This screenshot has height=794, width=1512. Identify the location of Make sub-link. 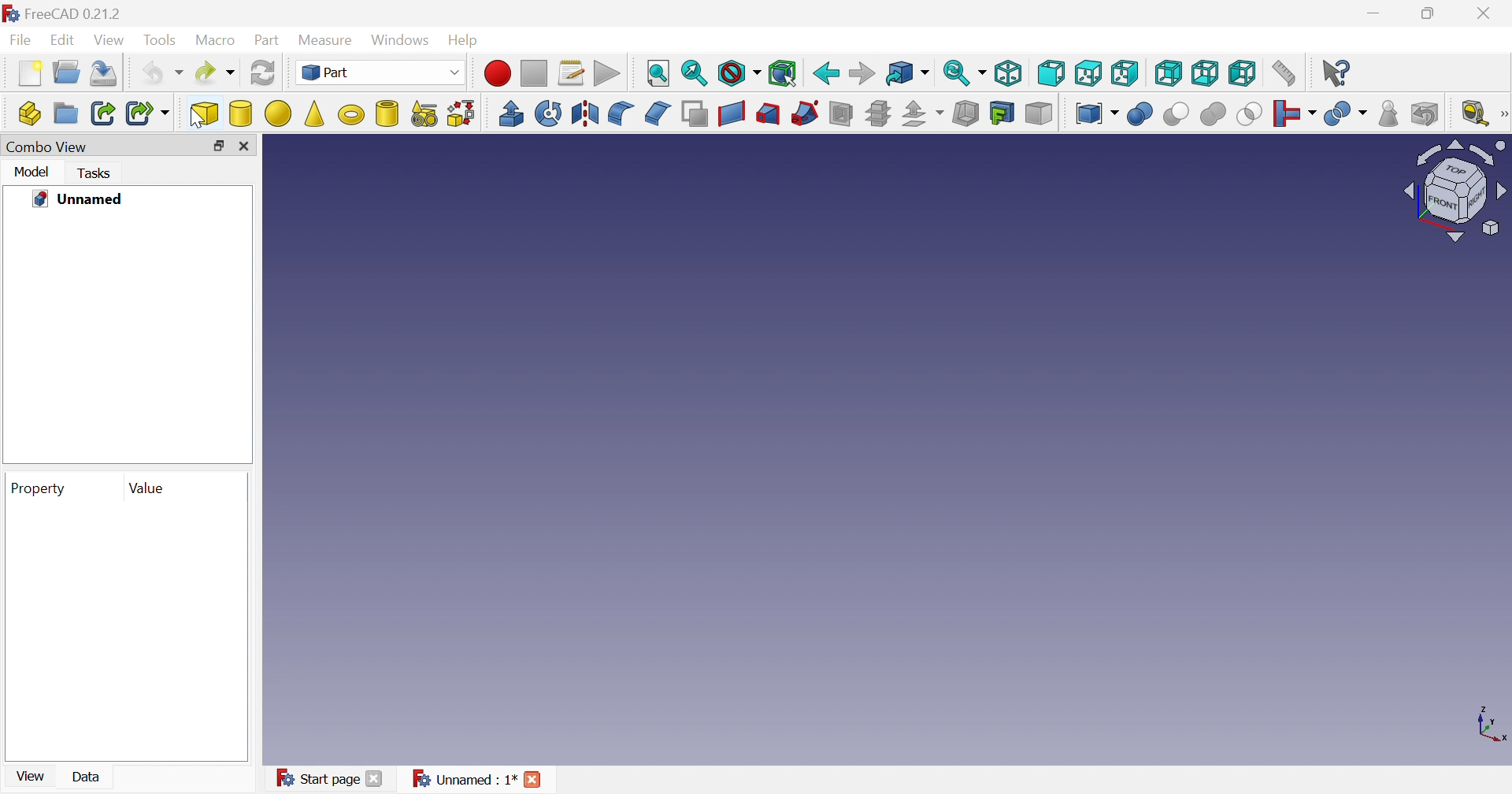
(146, 114).